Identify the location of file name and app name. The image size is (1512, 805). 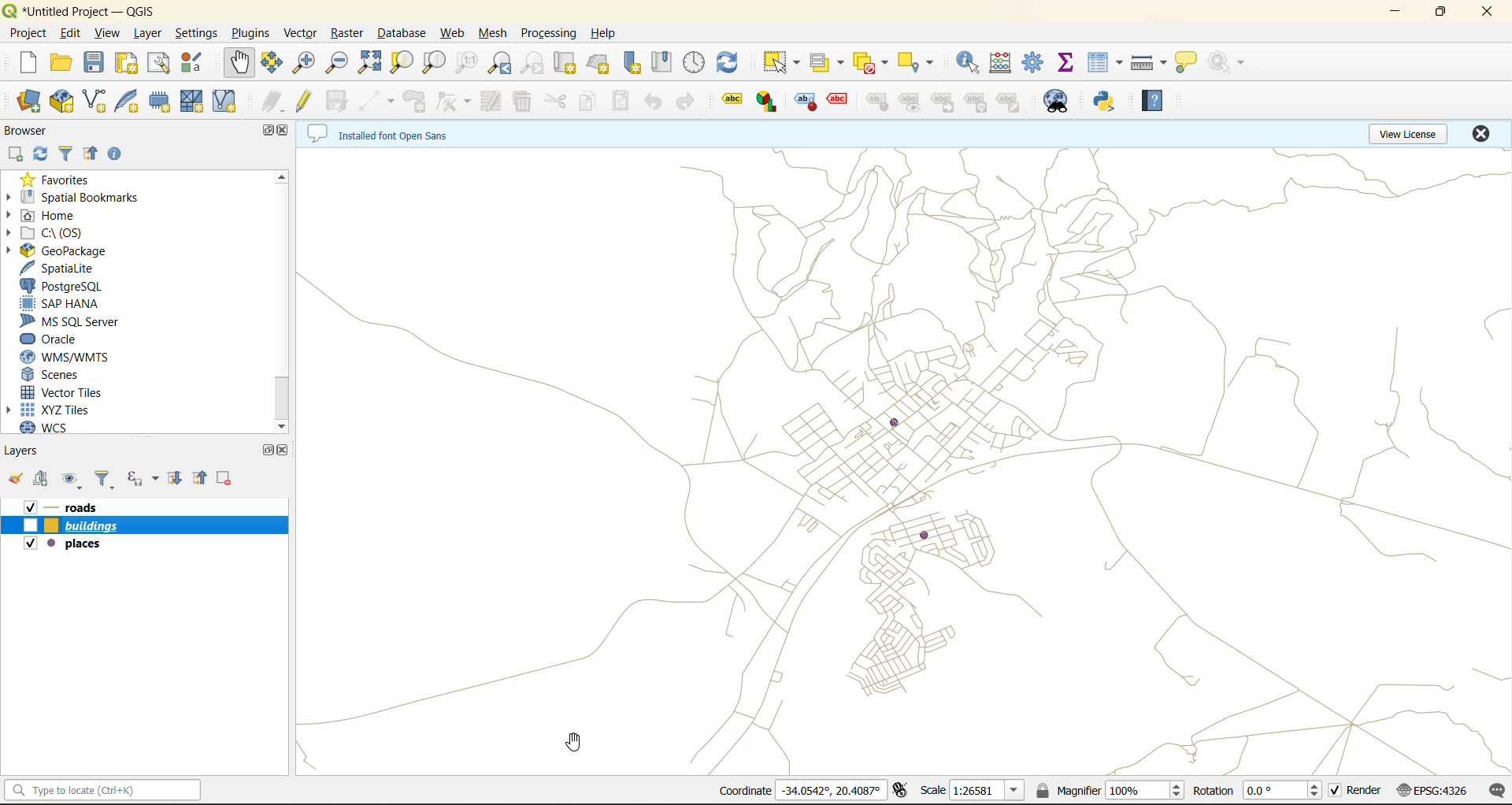
(86, 10).